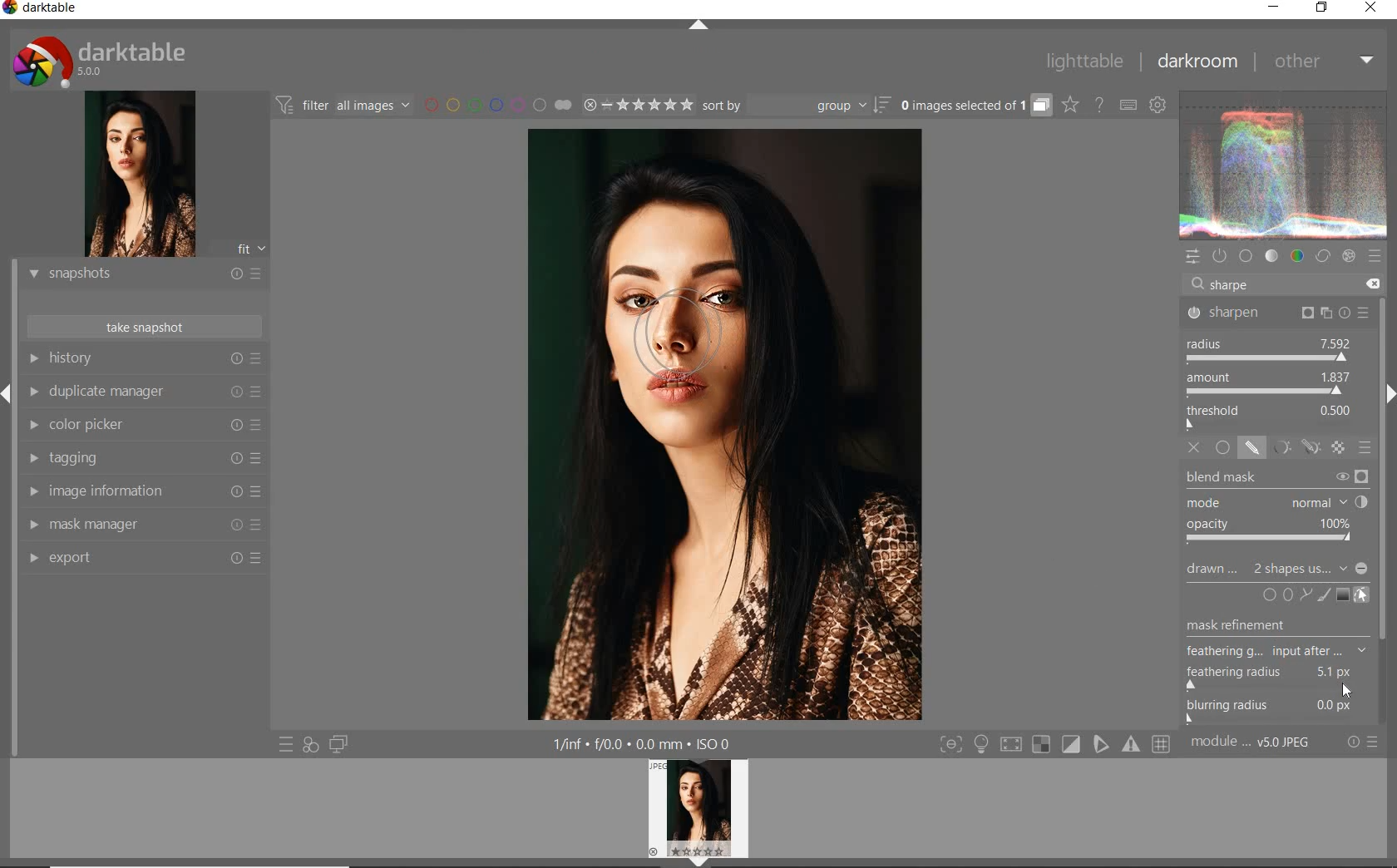  Describe the element at coordinates (1098, 104) in the screenshot. I see `enable online help` at that location.